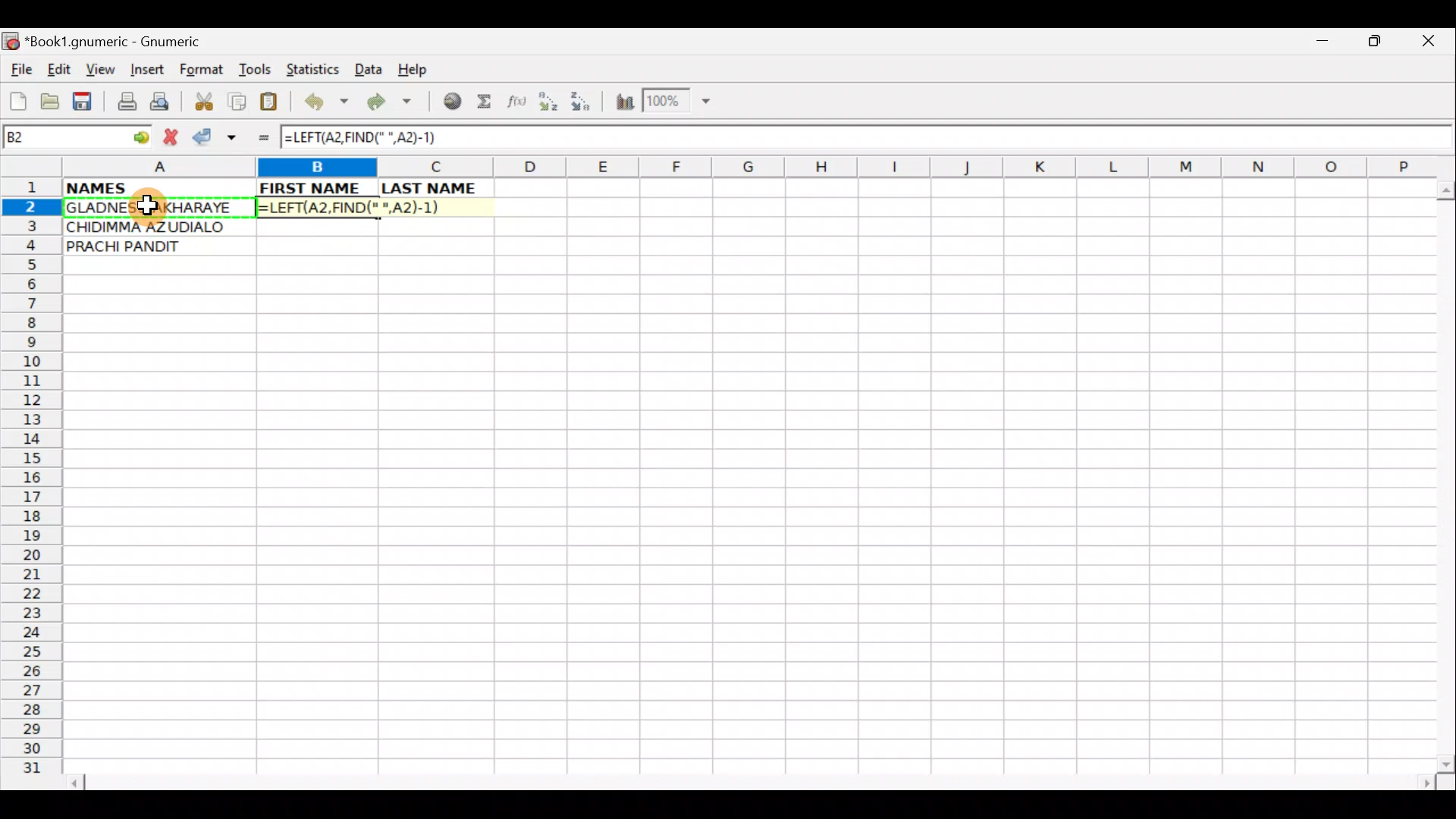  What do you see at coordinates (238, 101) in the screenshot?
I see `Copy selection` at bounding box center [238, 101].